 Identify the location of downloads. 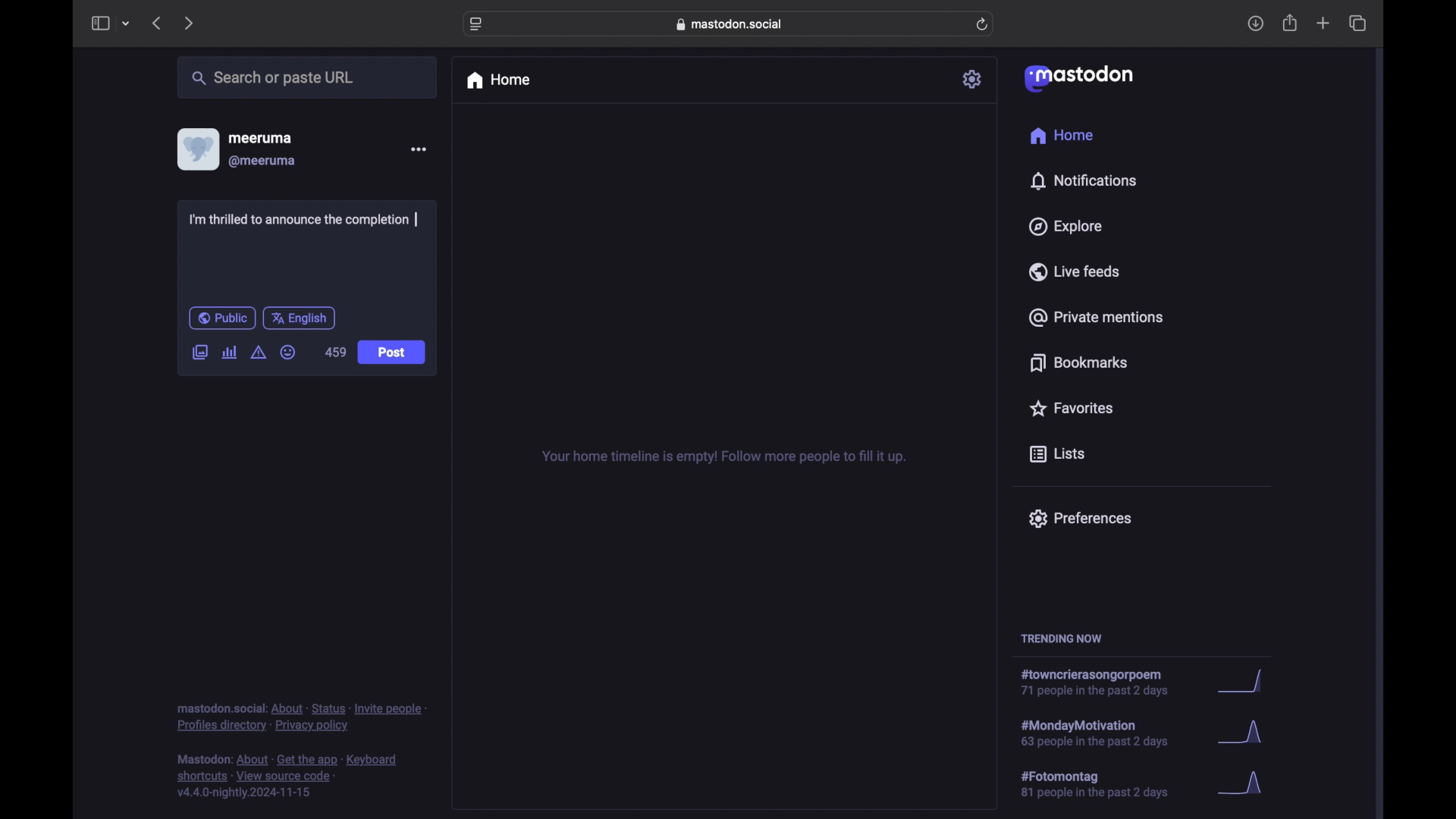
(1255, 24).